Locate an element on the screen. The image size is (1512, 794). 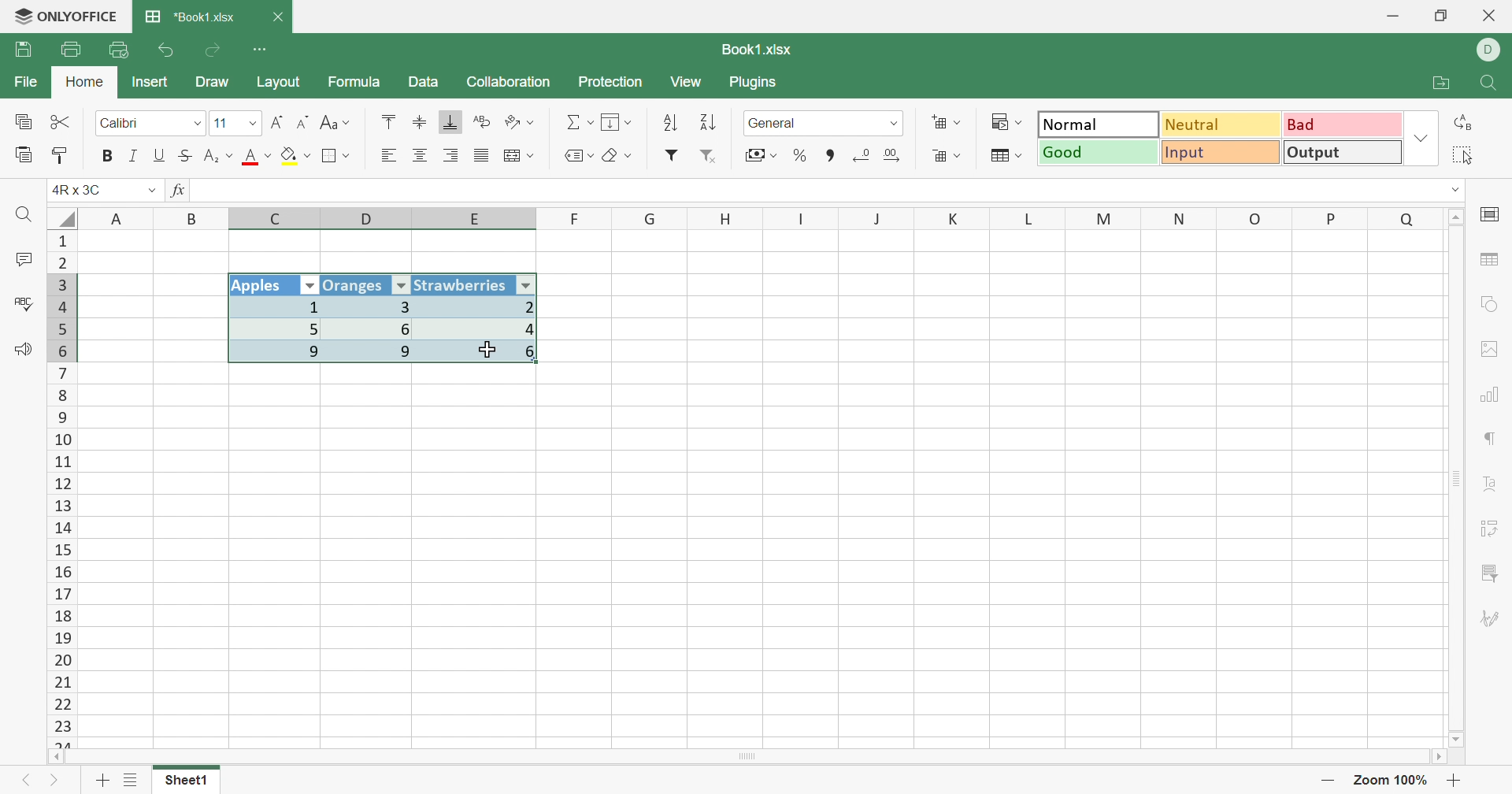
Decrement font size is located at coordinates (303, 123).